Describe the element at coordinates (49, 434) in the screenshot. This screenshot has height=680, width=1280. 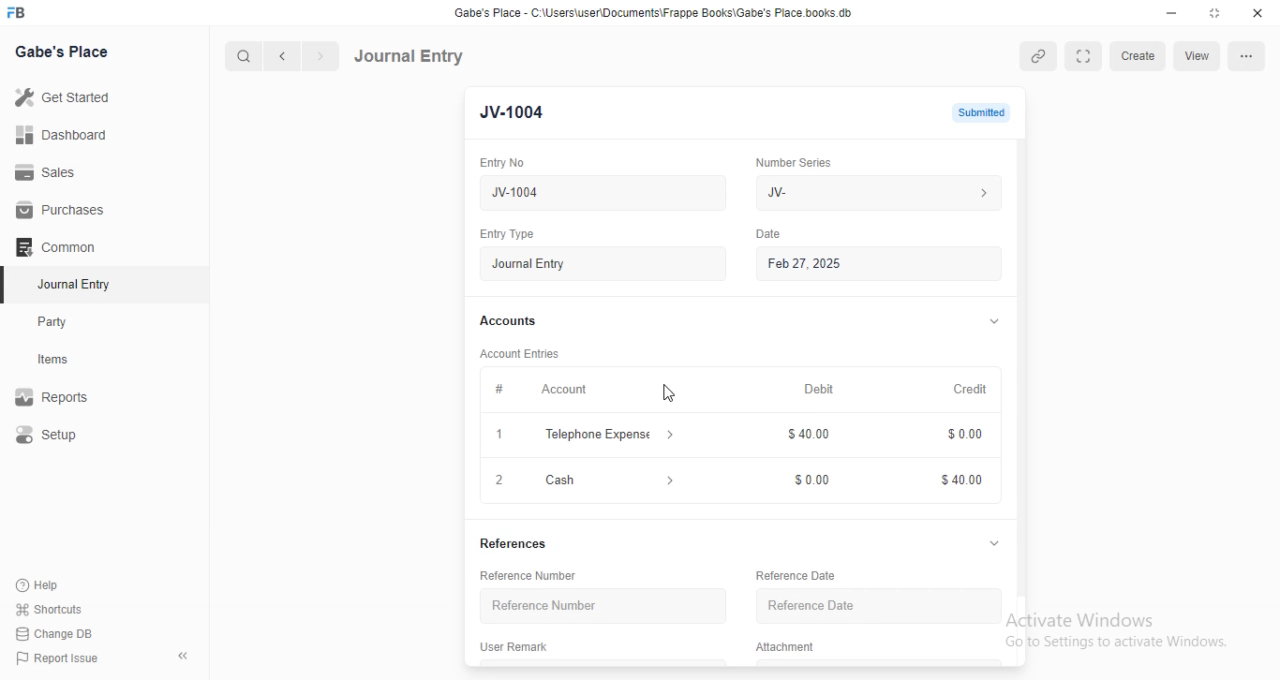
I see `Setup` at that location.